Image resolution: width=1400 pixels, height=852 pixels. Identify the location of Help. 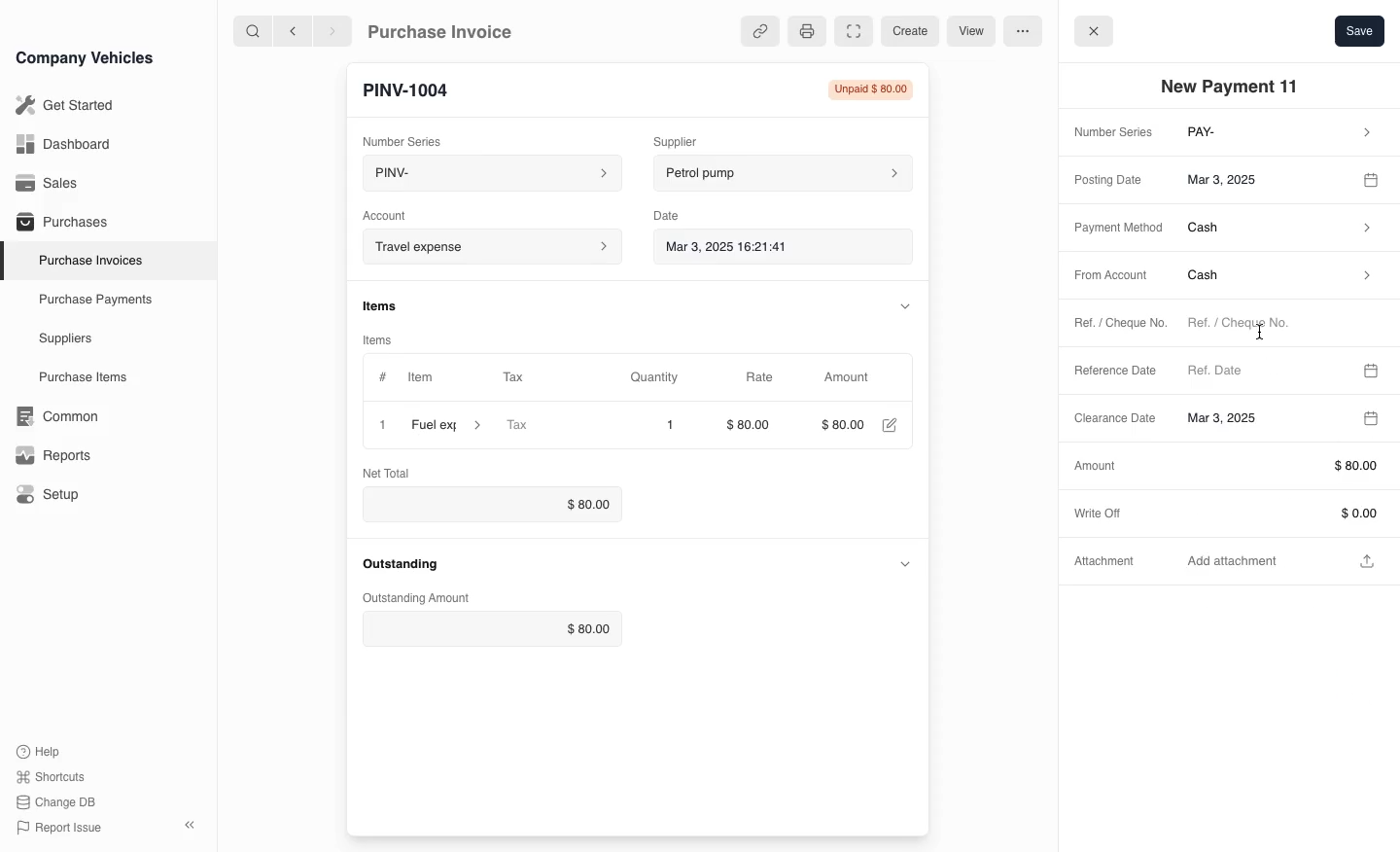
(43, 751).